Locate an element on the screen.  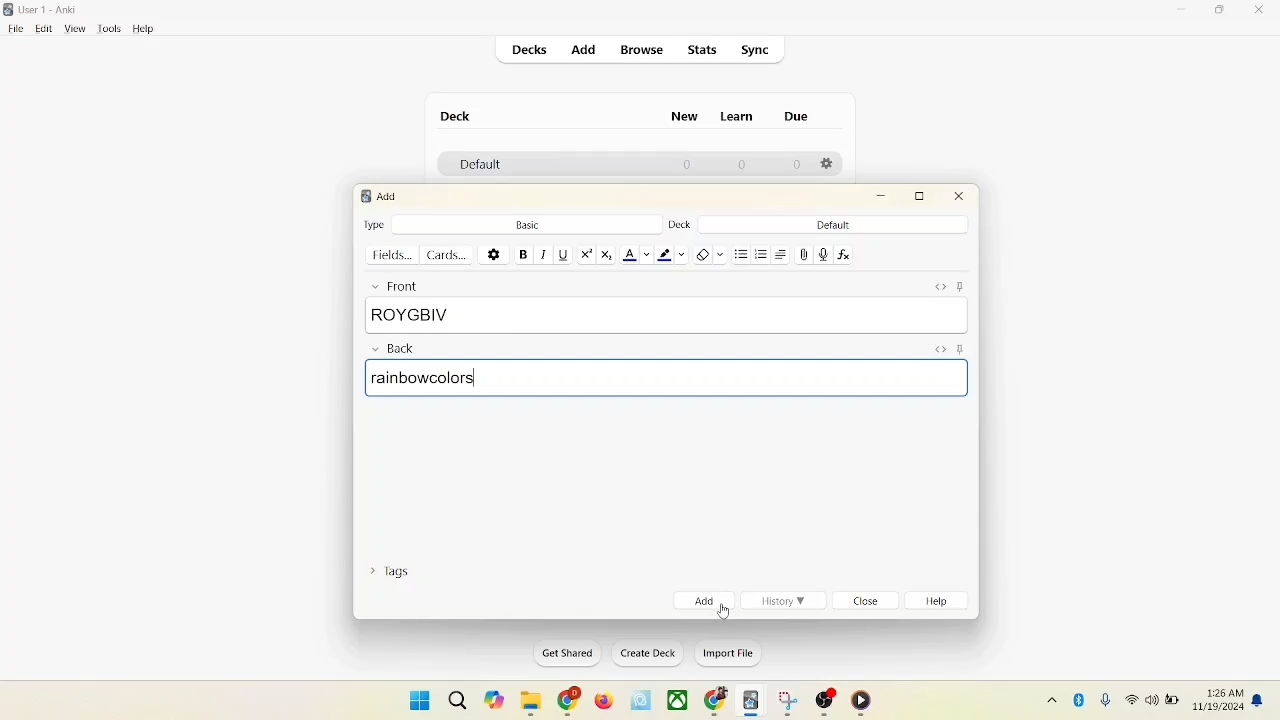
default is located at coordinates (475, 166).